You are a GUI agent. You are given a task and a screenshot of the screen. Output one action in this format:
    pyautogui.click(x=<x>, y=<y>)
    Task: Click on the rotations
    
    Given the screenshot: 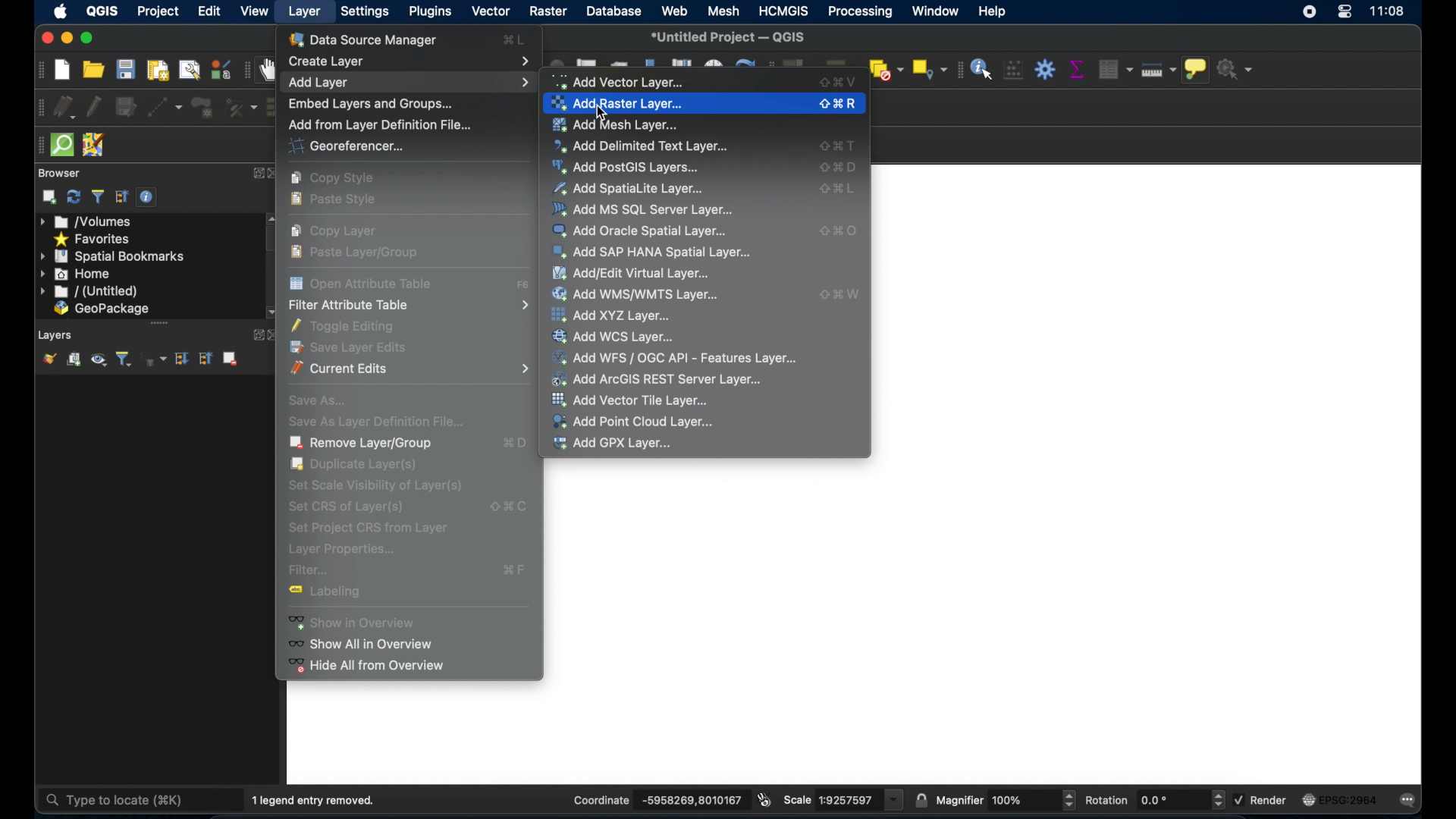 What is the action you would take?
    pyautogui.click(x=1107, y=799)
    